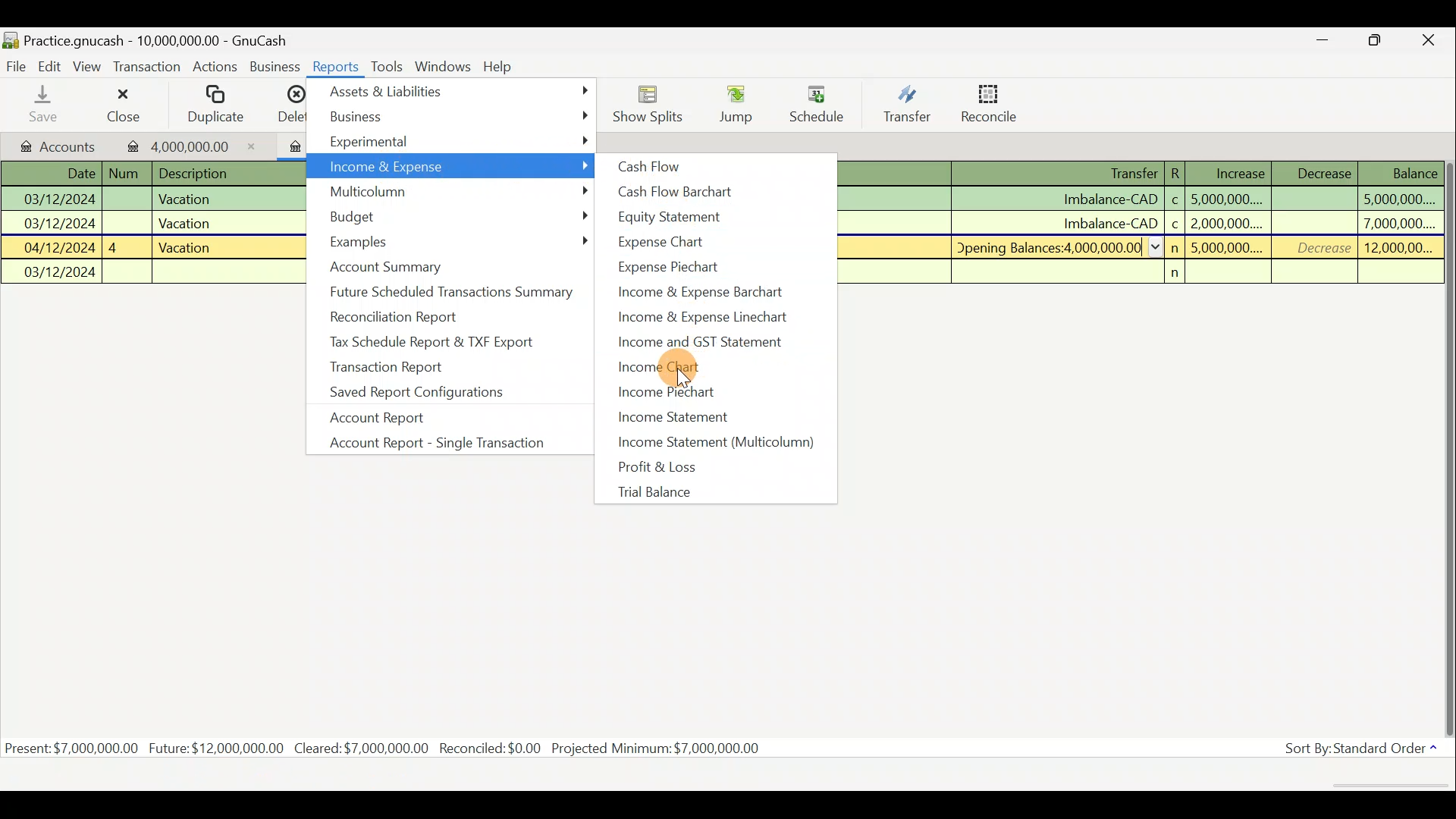 This screenshot has width=1456, height=819. I want to click on c, so click(1175, 200).